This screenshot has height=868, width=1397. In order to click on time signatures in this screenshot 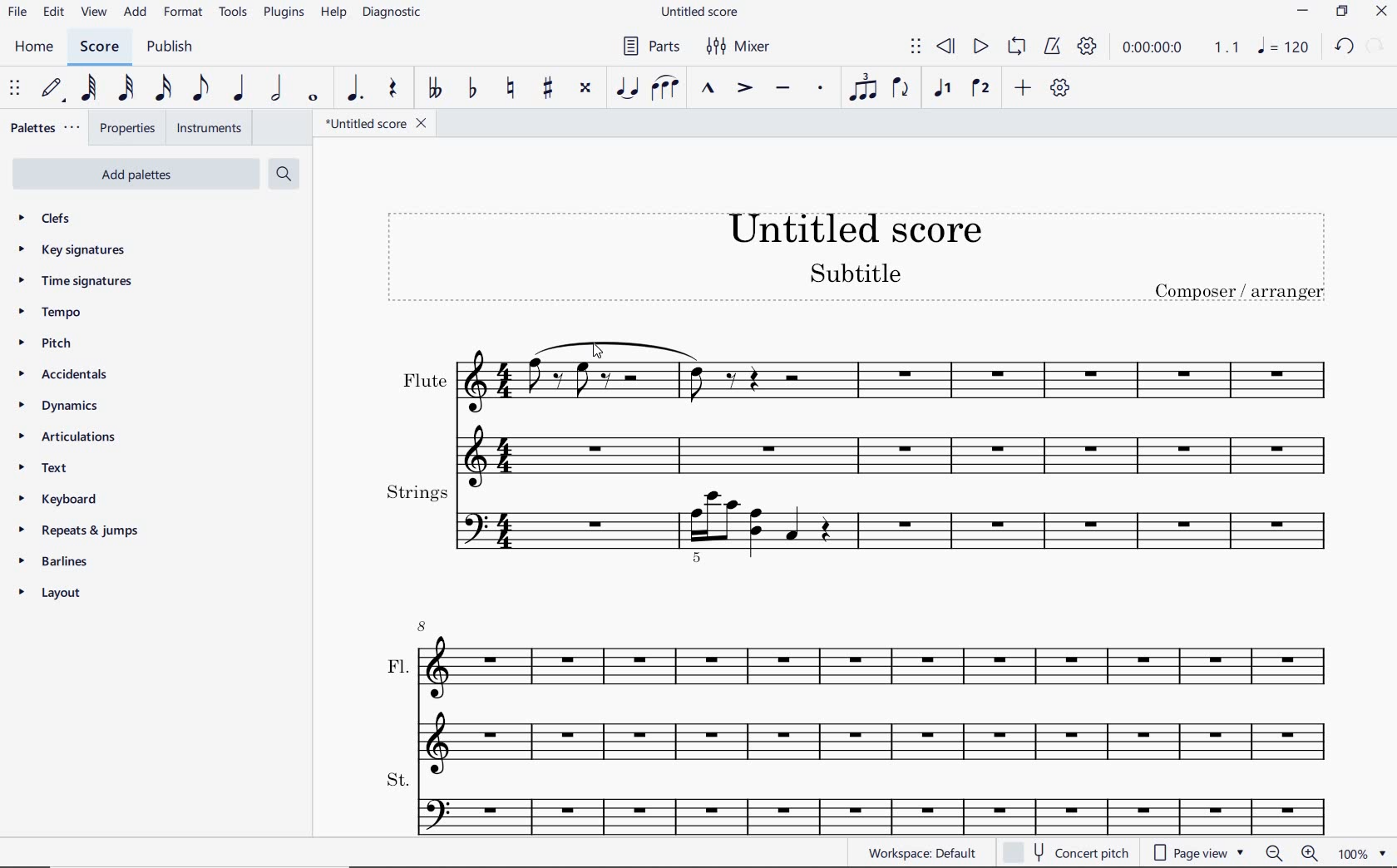, I will do `click(73, 282)`.